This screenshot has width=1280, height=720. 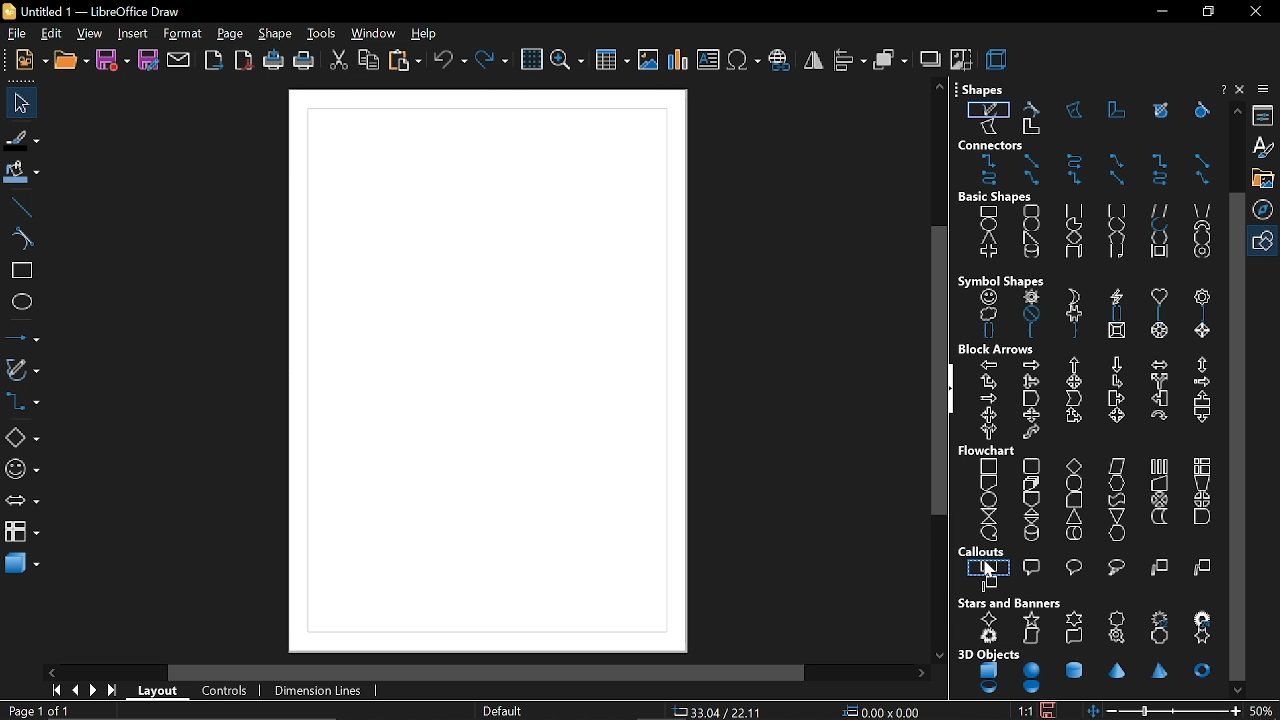 What do you see at coordinates (1118, 161) in the screenshot?
I see `line connector ends with arrow` at bounding box center [1118, 161].